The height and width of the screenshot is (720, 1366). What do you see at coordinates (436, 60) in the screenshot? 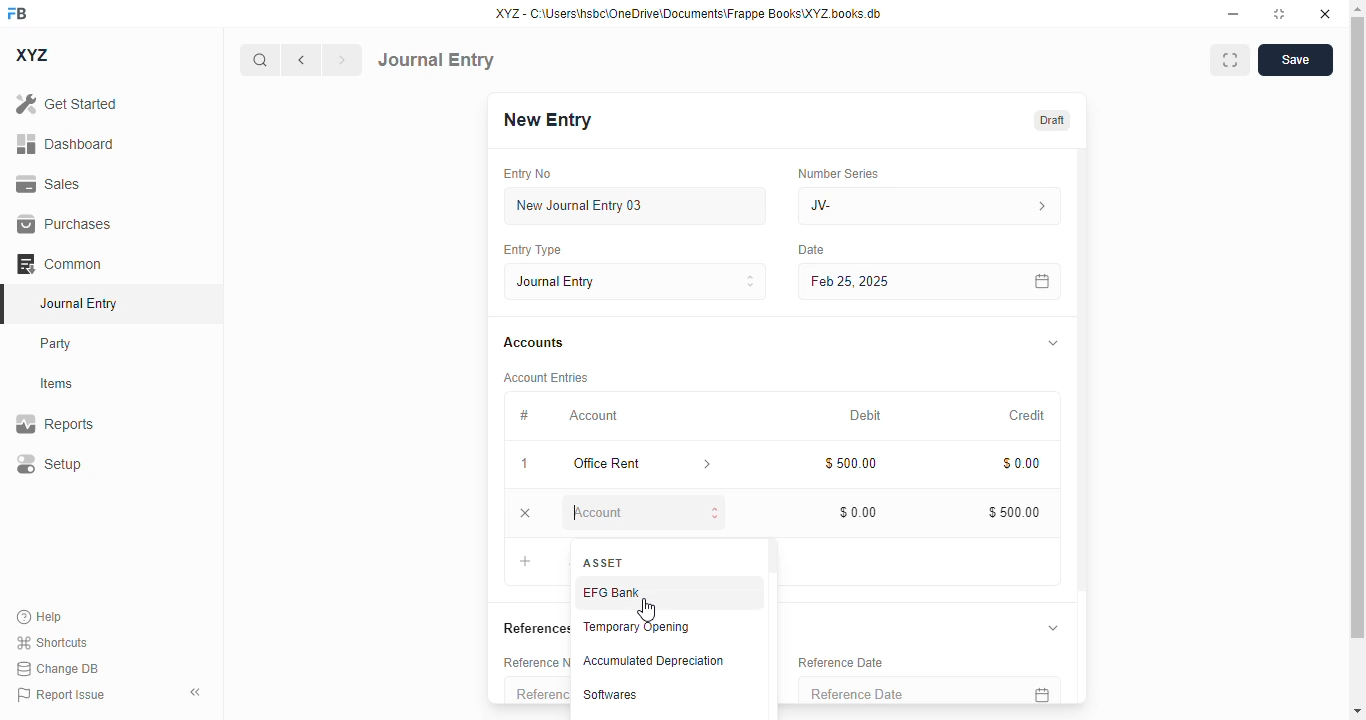
I see `journal entry` at bounding box center [436, 60].